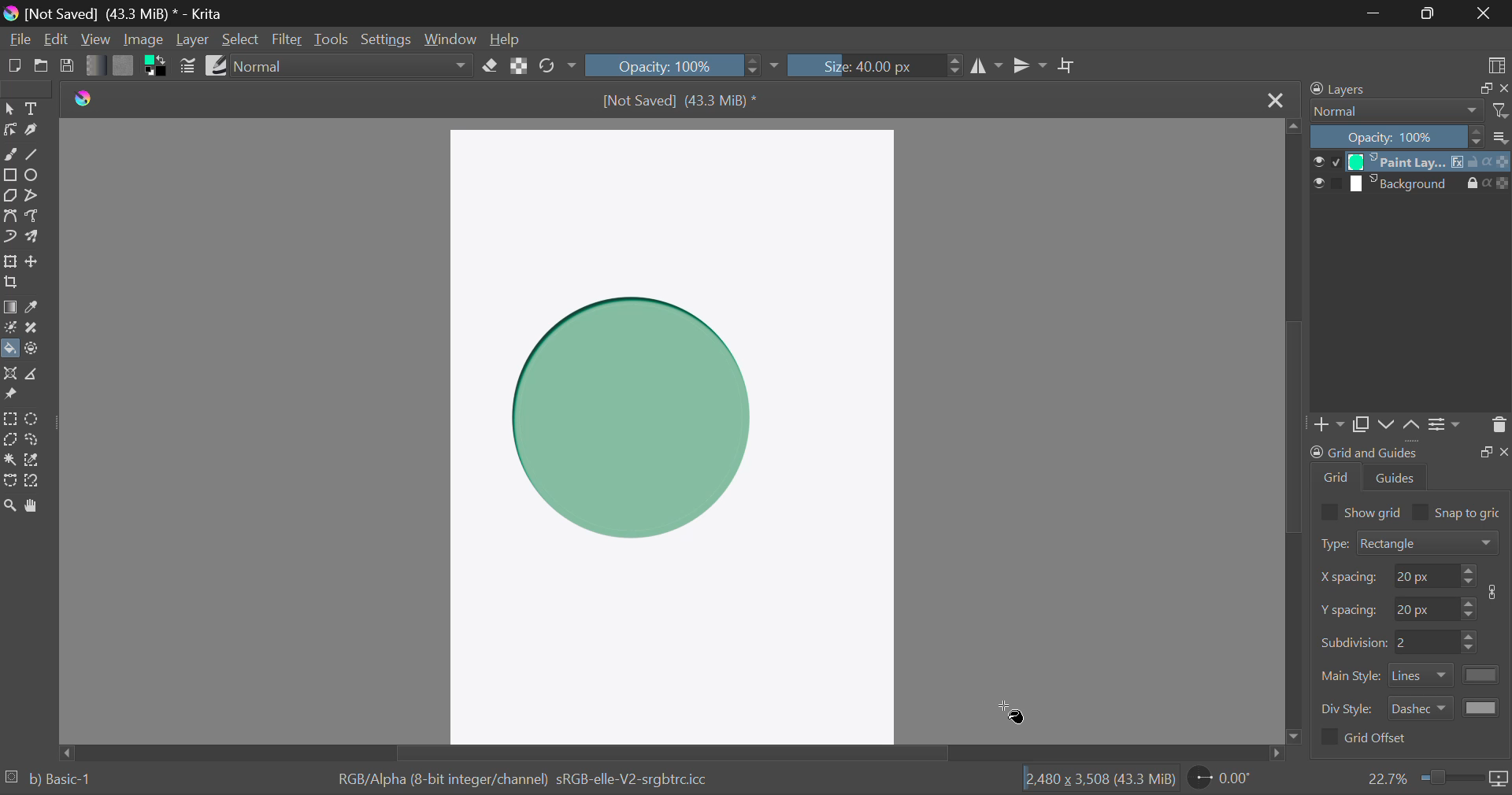 Image resolution: width=1512 pixels, height=795 pixels. I want to click on Delete Layer, so click(1498, 428).